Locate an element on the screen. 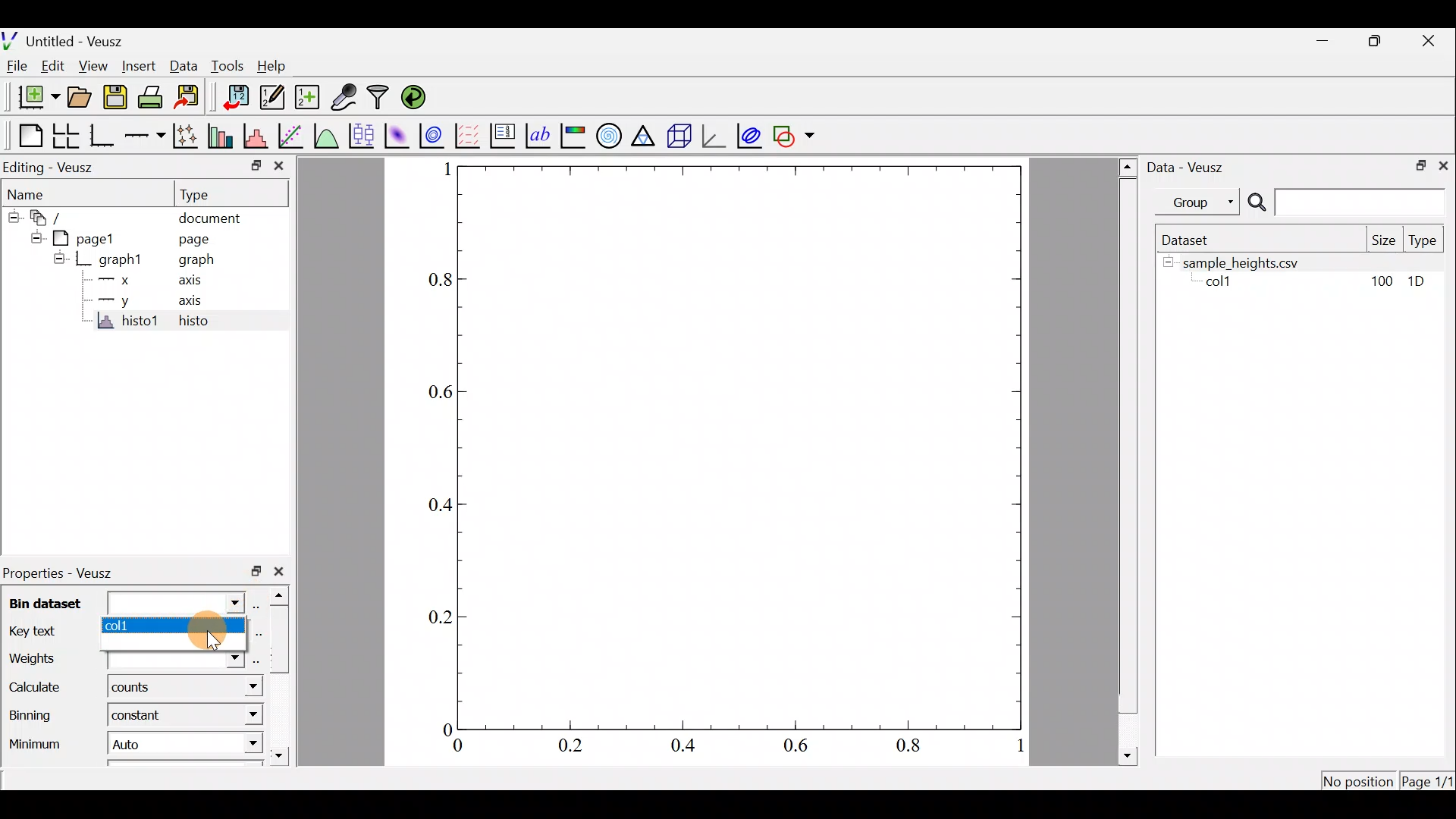 The width and height of the screenshot is (1456, 819). plot key is located at coordinates (505, 134).